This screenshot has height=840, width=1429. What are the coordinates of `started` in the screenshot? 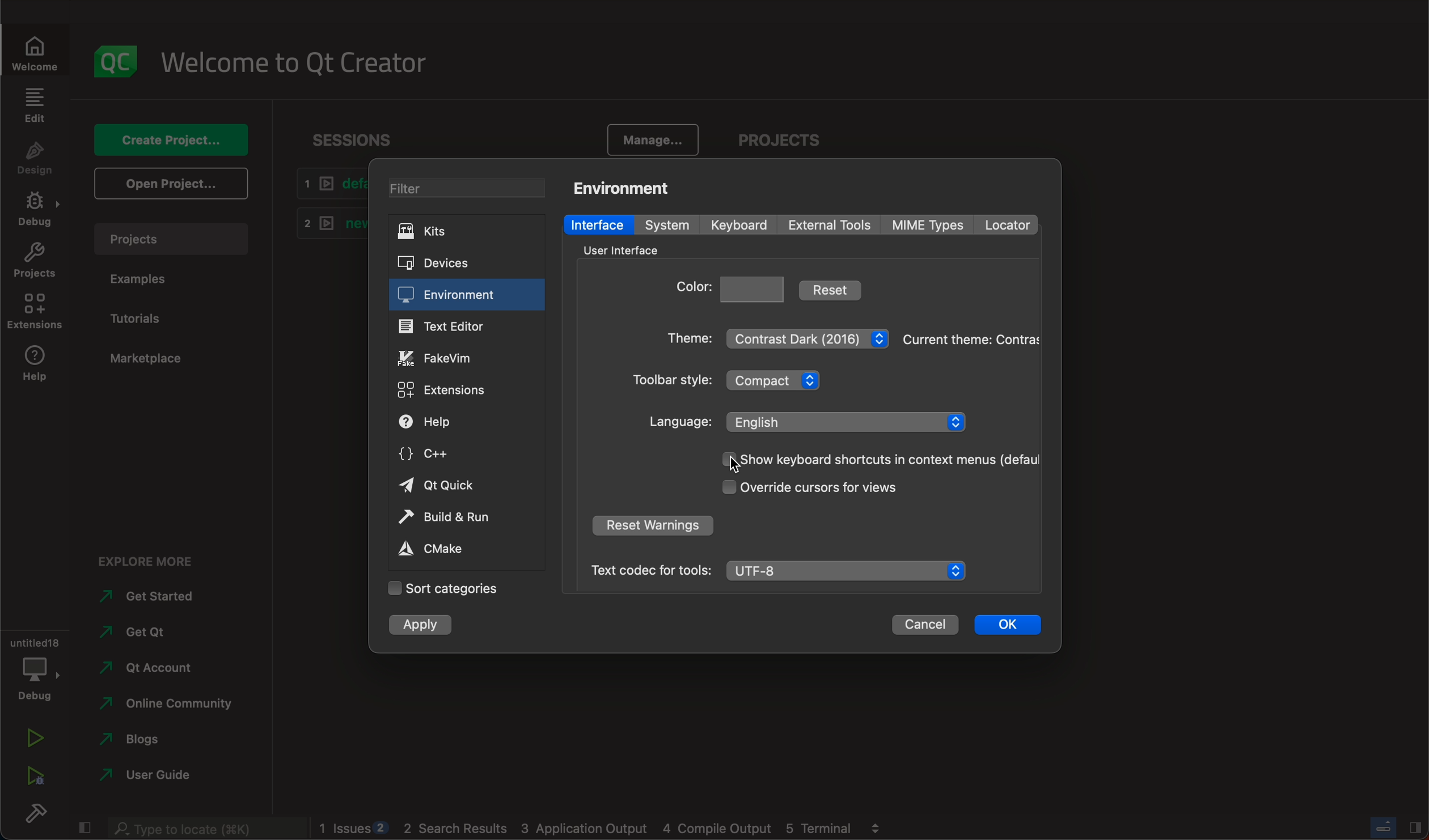 It's located at (153, 596).